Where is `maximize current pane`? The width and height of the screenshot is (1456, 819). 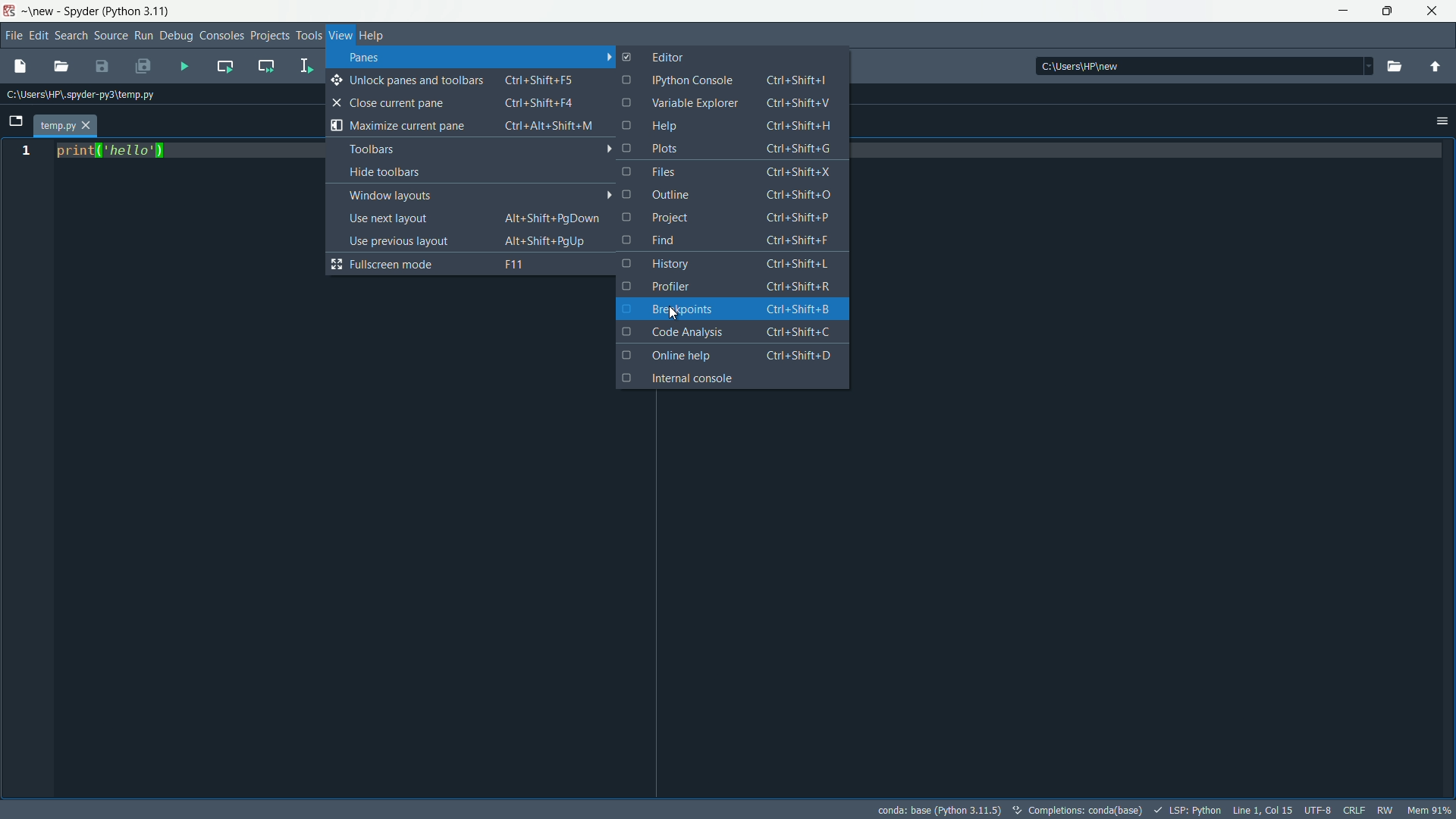 maximize current pane is located at coordinates (466, 127).